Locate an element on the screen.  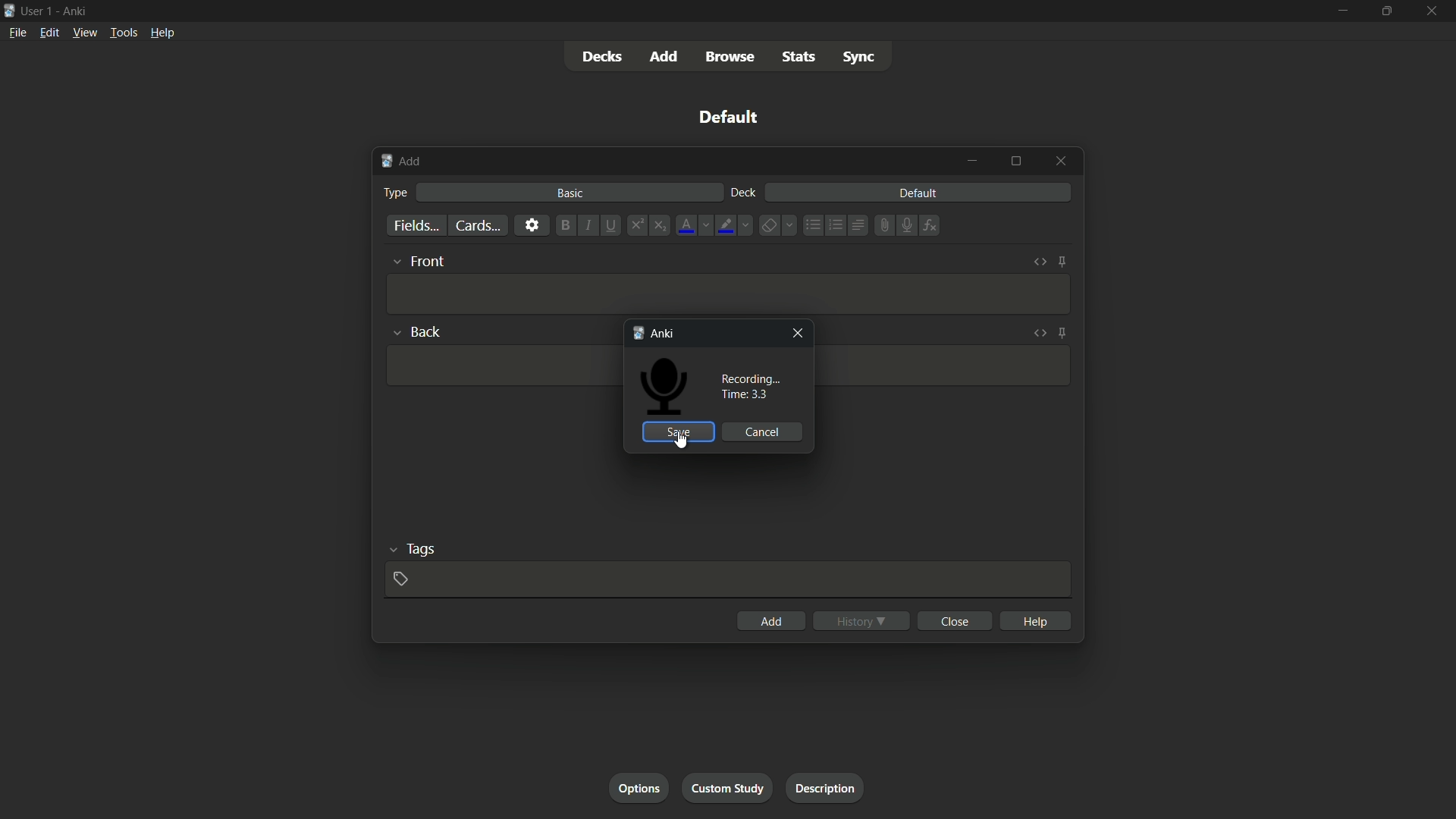
add is located at coordinates (401, 162).